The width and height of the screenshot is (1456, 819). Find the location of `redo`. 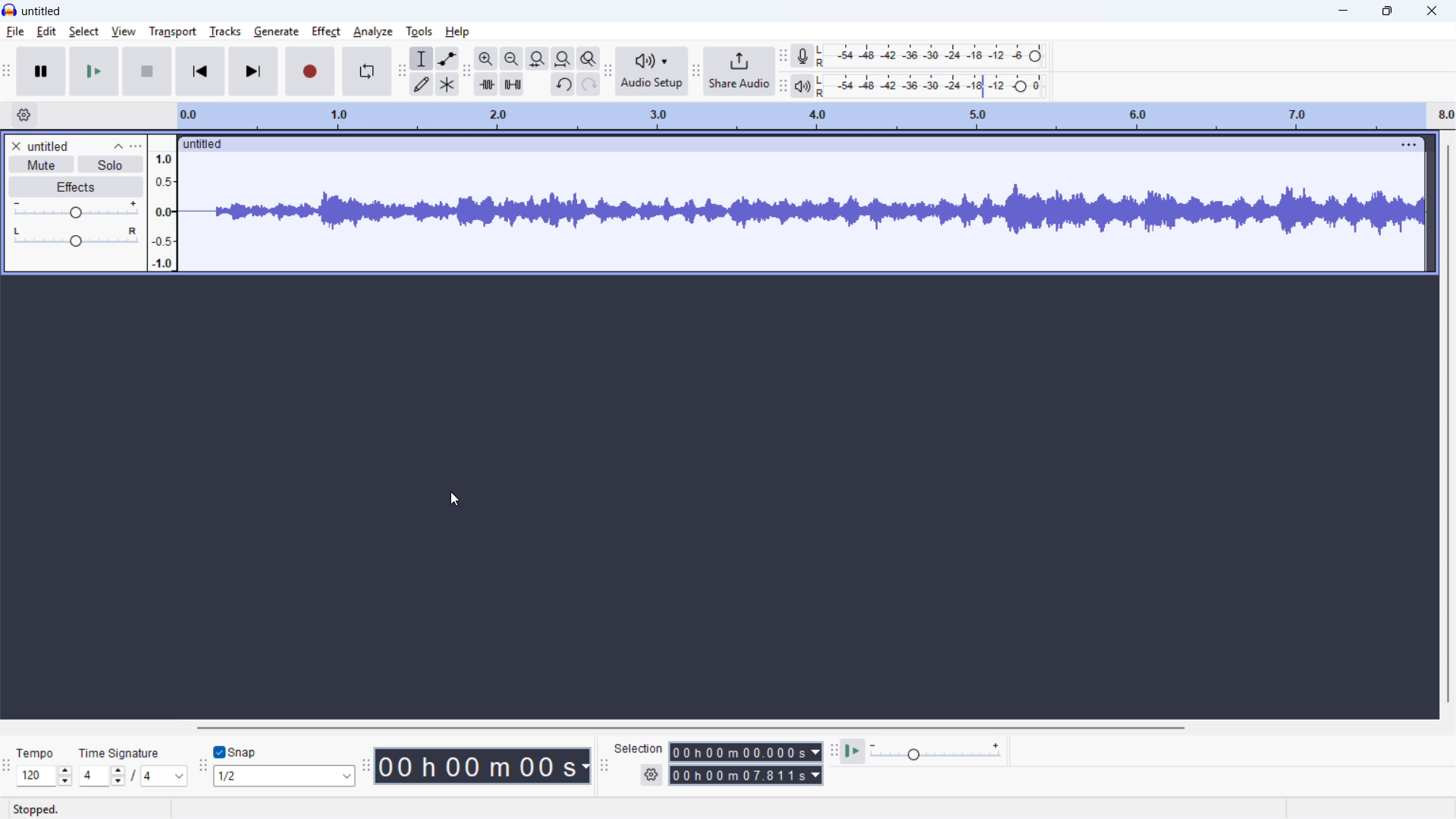

redo is located at coordinates (589, 85).